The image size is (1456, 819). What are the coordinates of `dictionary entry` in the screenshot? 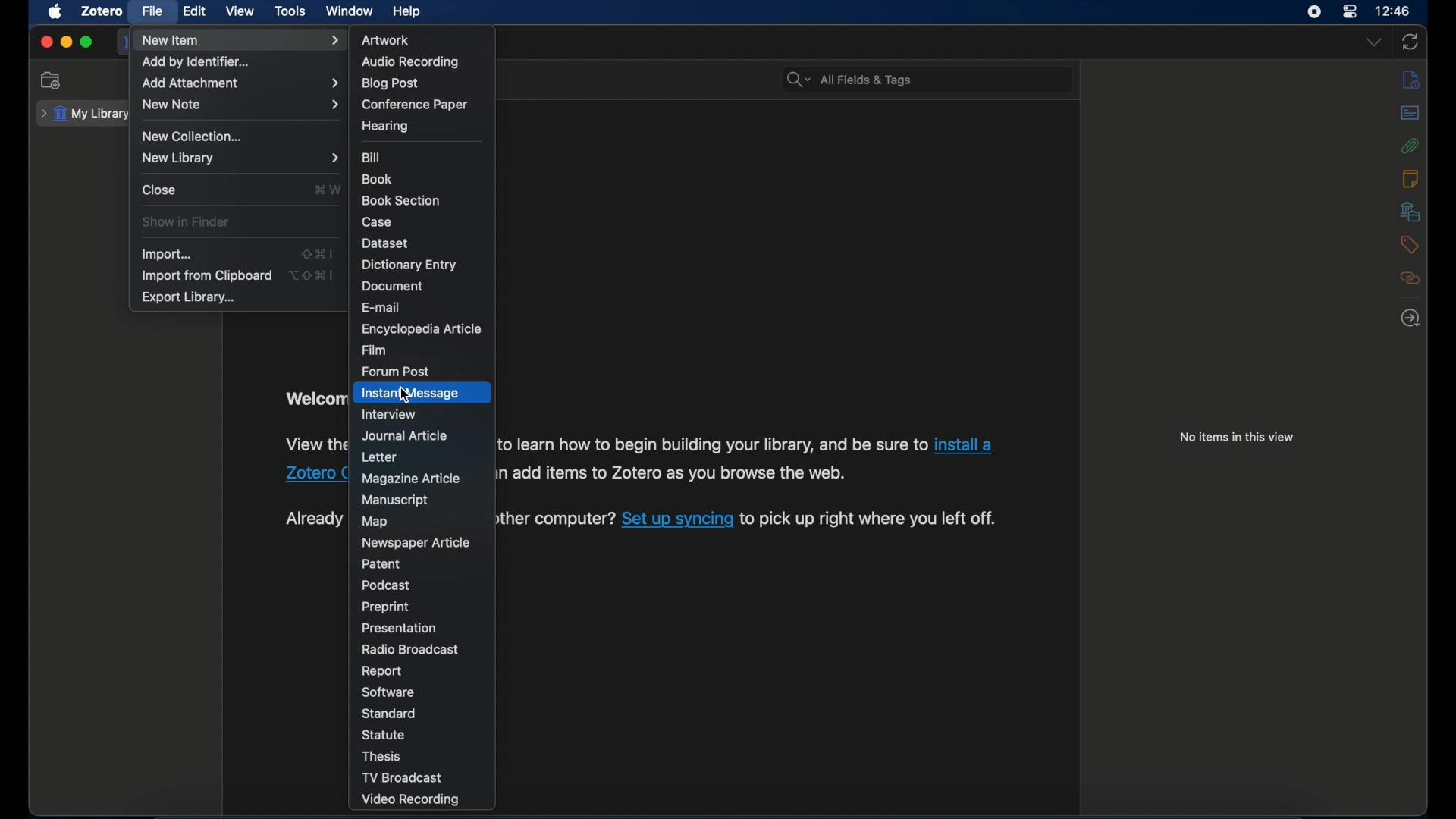 It's located at (409, 265).